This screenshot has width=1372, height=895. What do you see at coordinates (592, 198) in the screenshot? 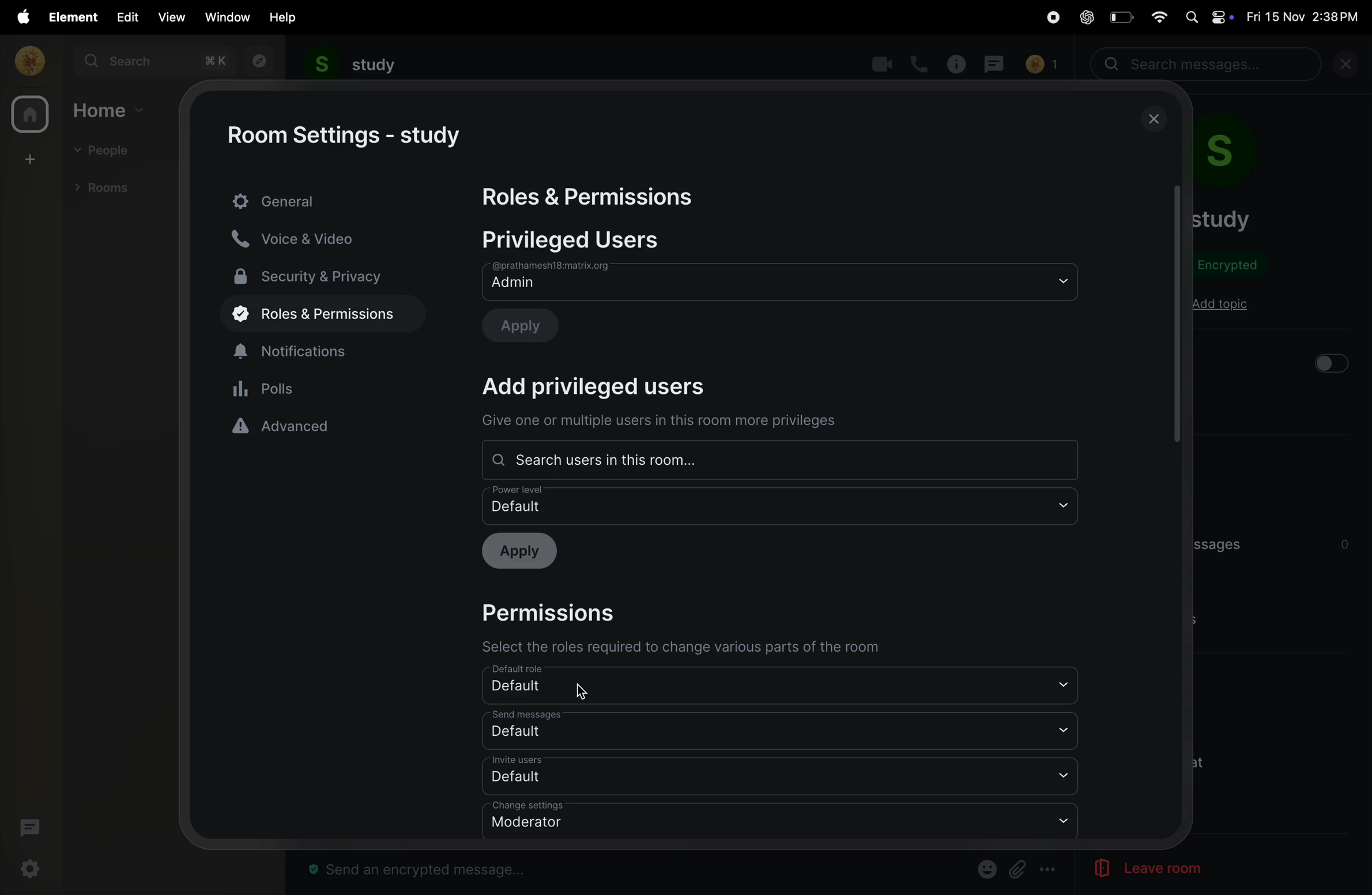
I see `Roles and permissions` at bounding box center [592, 198].